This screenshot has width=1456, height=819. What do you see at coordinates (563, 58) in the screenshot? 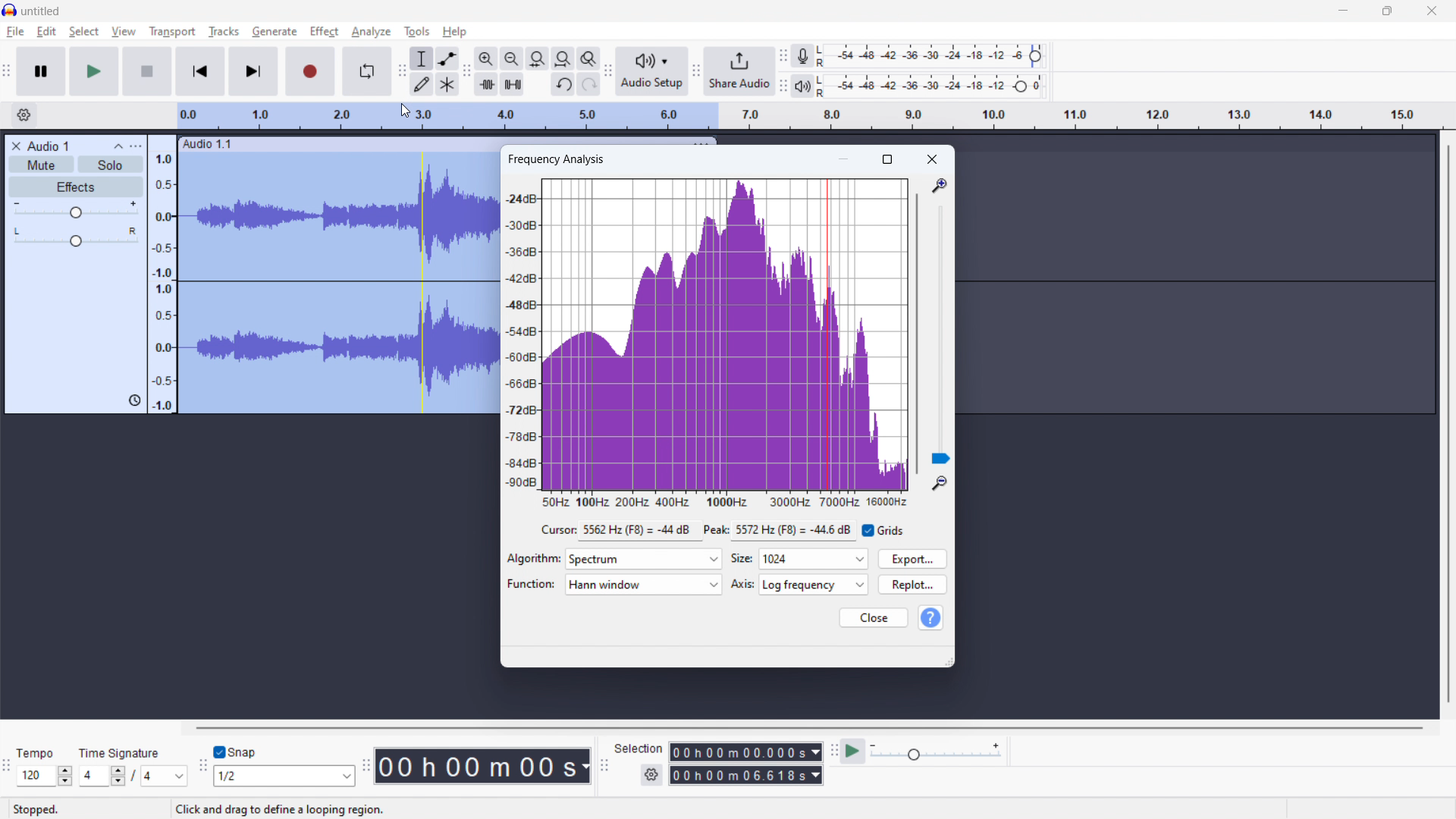
I see `fit project to width` at bounding box center [563, 58].